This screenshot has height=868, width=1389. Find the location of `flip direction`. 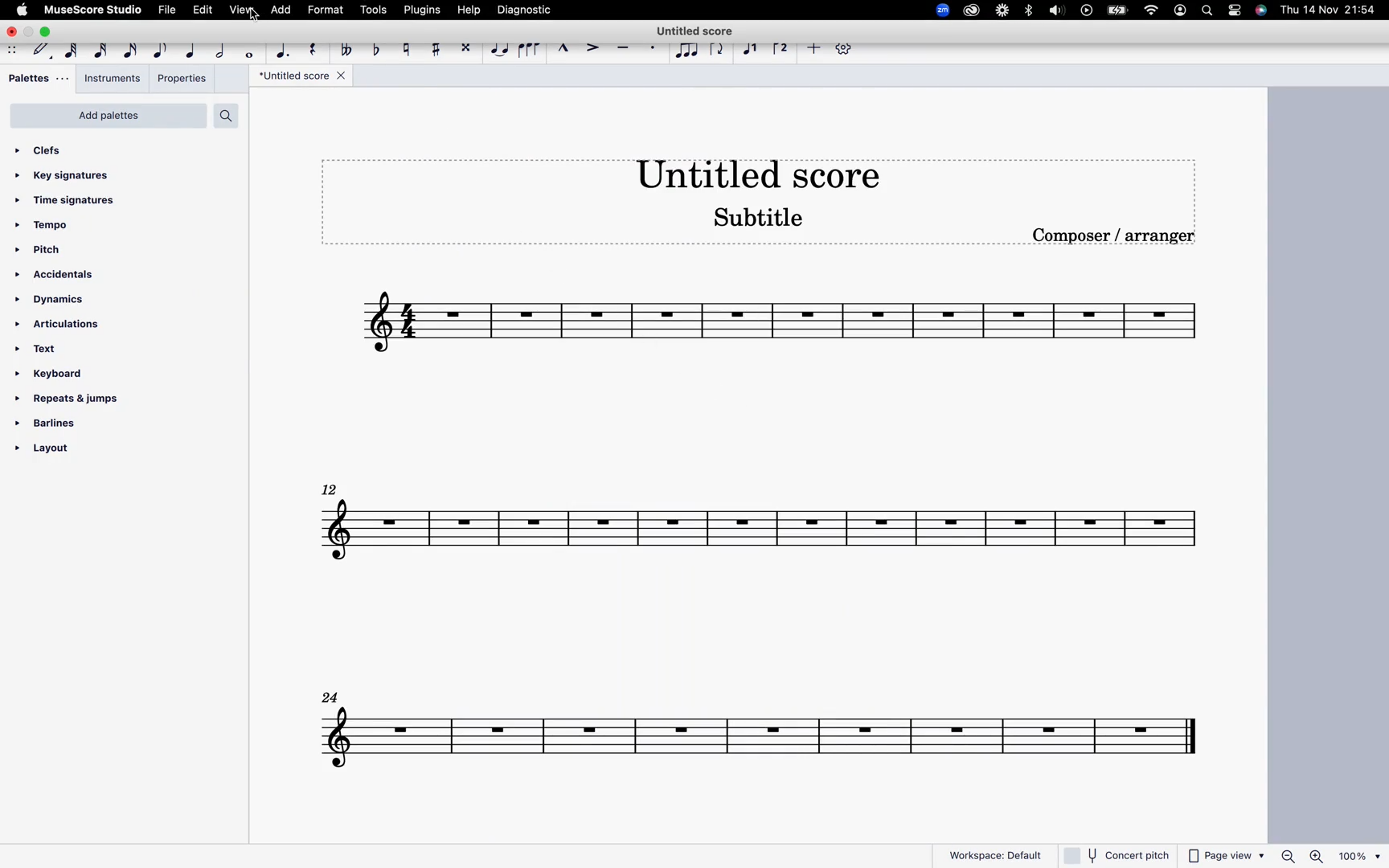

flip direction is located at coordinates (714, 52).